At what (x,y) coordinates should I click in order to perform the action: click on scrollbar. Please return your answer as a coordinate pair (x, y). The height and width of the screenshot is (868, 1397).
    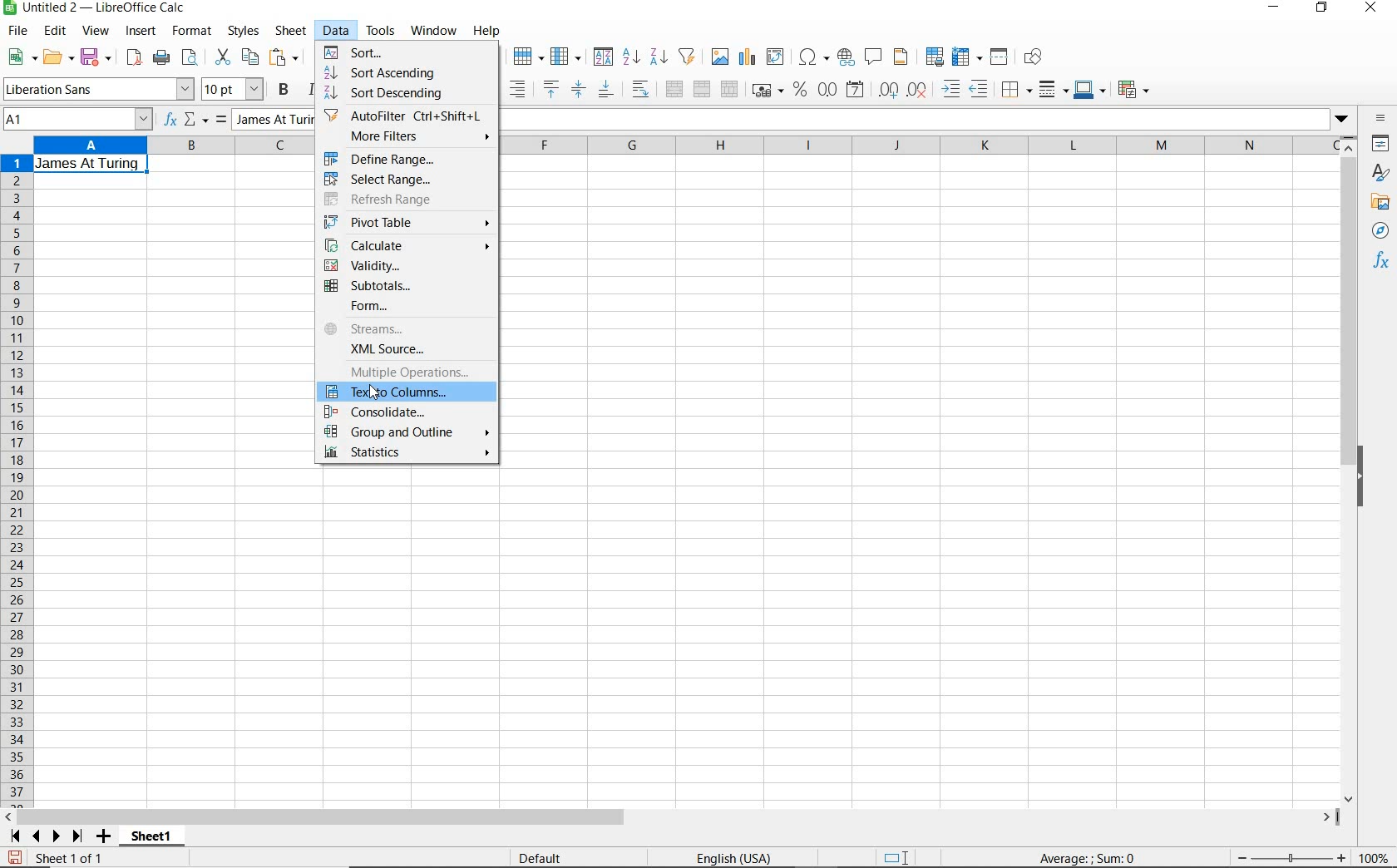
    Looking at the image, I should click on (1350, 469).